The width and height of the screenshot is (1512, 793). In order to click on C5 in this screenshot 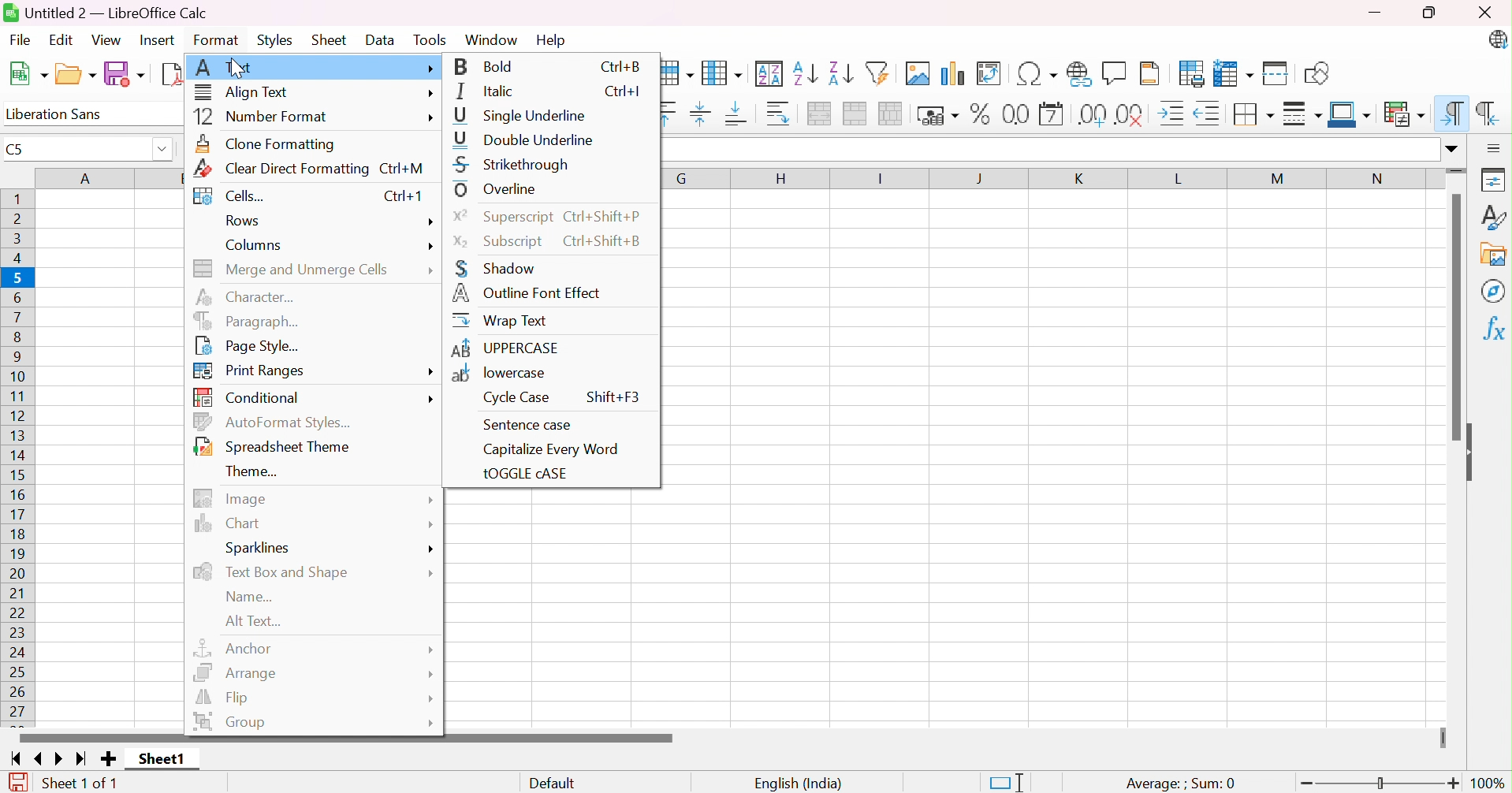, I will do `click(17, 150)`.